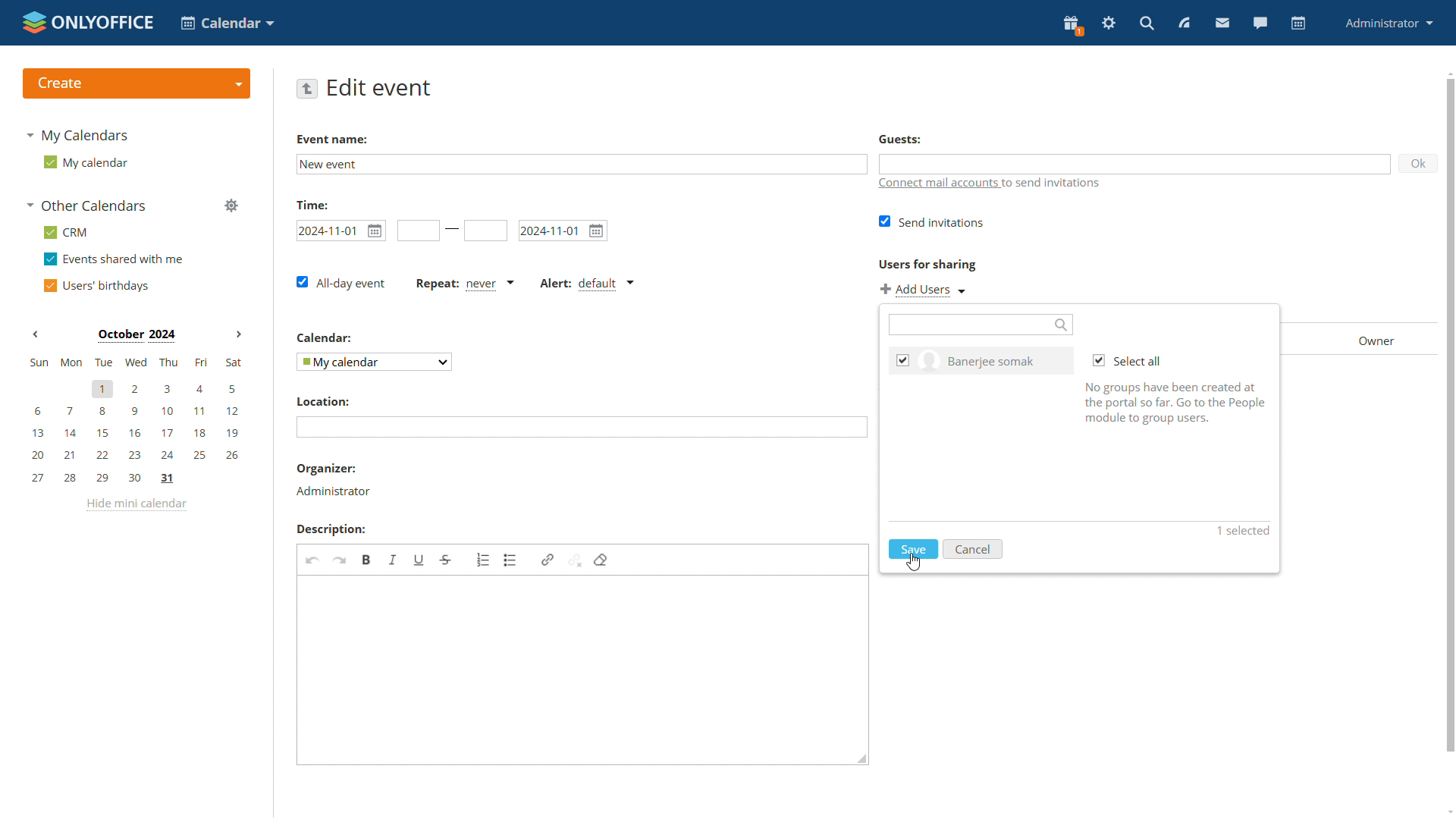 This screenshot has width=1456, height=819. What do you see at coordinates (366, 560) in the screenshot?
I see `bold` at bounding box center [366, 560].